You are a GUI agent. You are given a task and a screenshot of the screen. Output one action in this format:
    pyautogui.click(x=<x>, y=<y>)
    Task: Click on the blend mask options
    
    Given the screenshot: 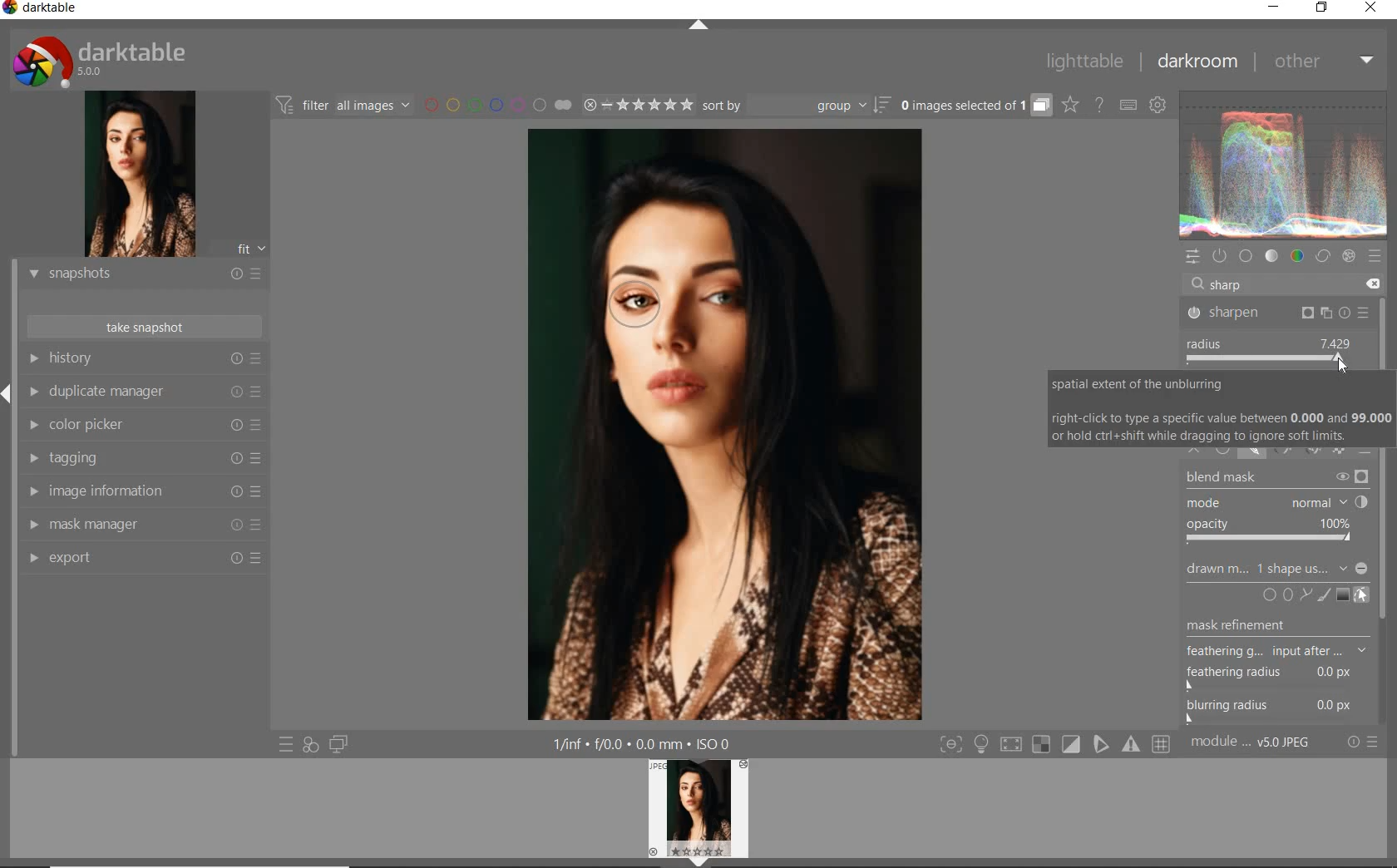 What is the action you would take?
    pyautogui.click(x=1276, y=509)
    